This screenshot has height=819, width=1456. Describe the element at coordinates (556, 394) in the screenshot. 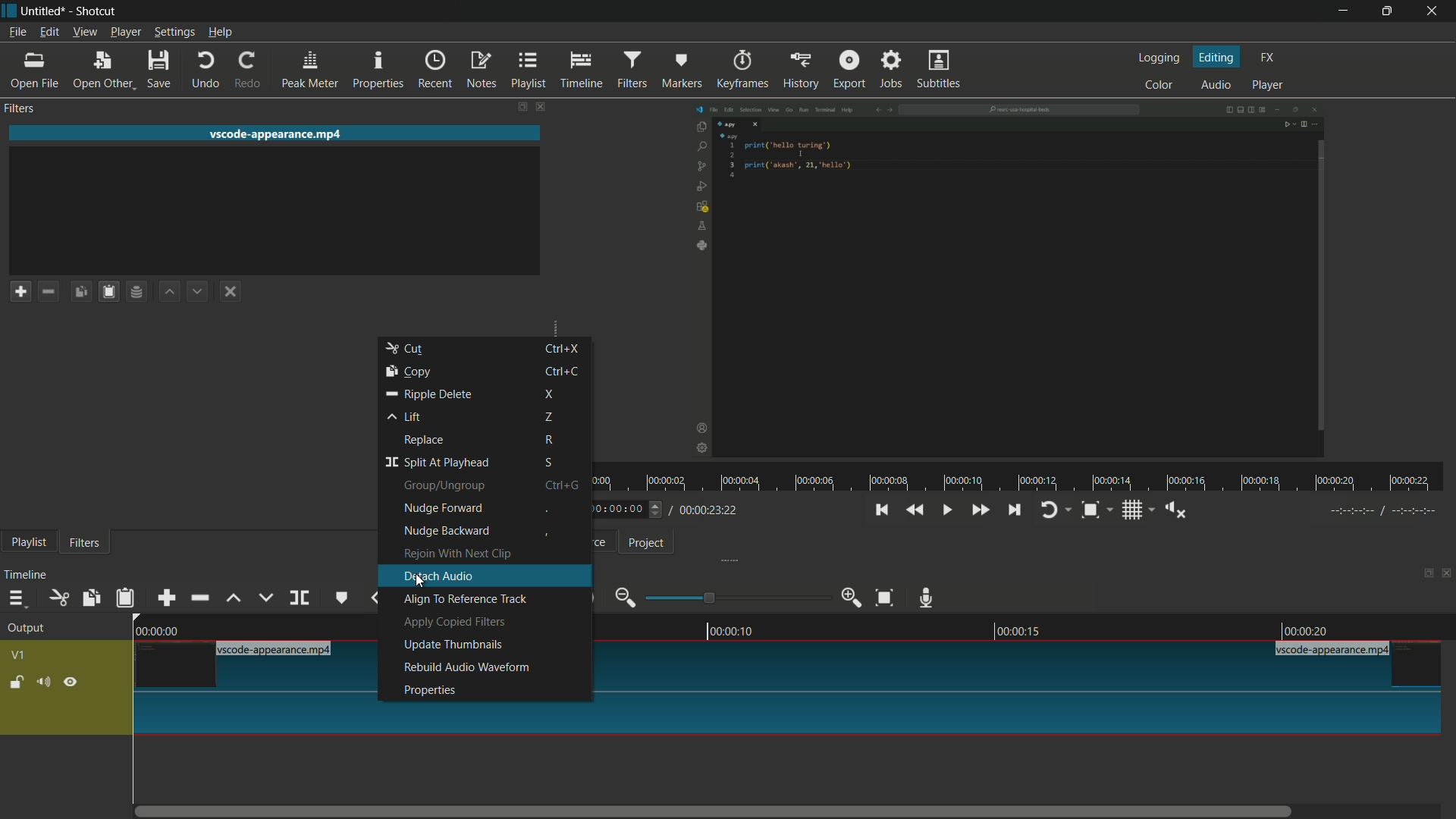

I see `x` at that location.